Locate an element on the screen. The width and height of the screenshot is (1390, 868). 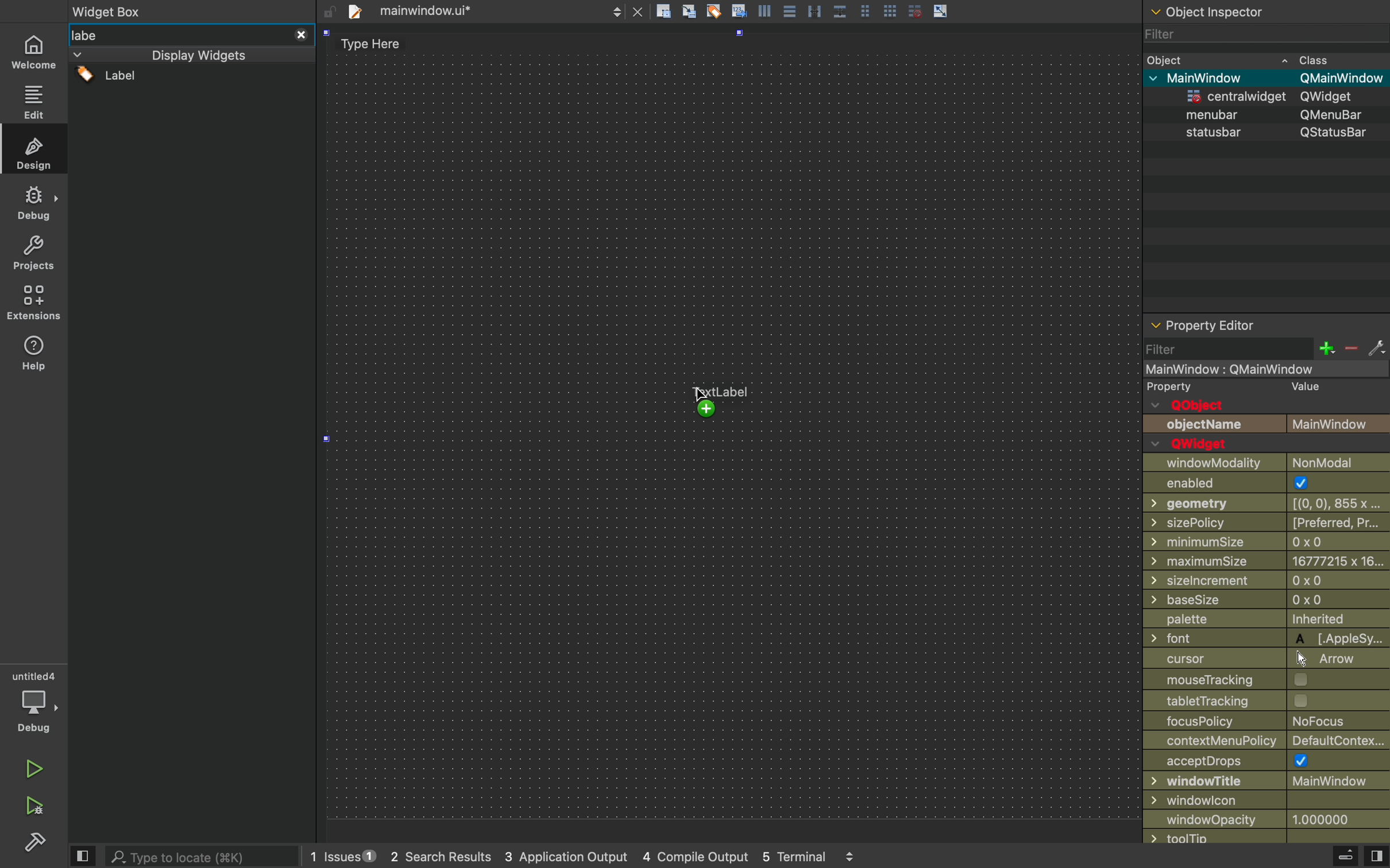
mainwindow is located at coordinates (1271, 77).